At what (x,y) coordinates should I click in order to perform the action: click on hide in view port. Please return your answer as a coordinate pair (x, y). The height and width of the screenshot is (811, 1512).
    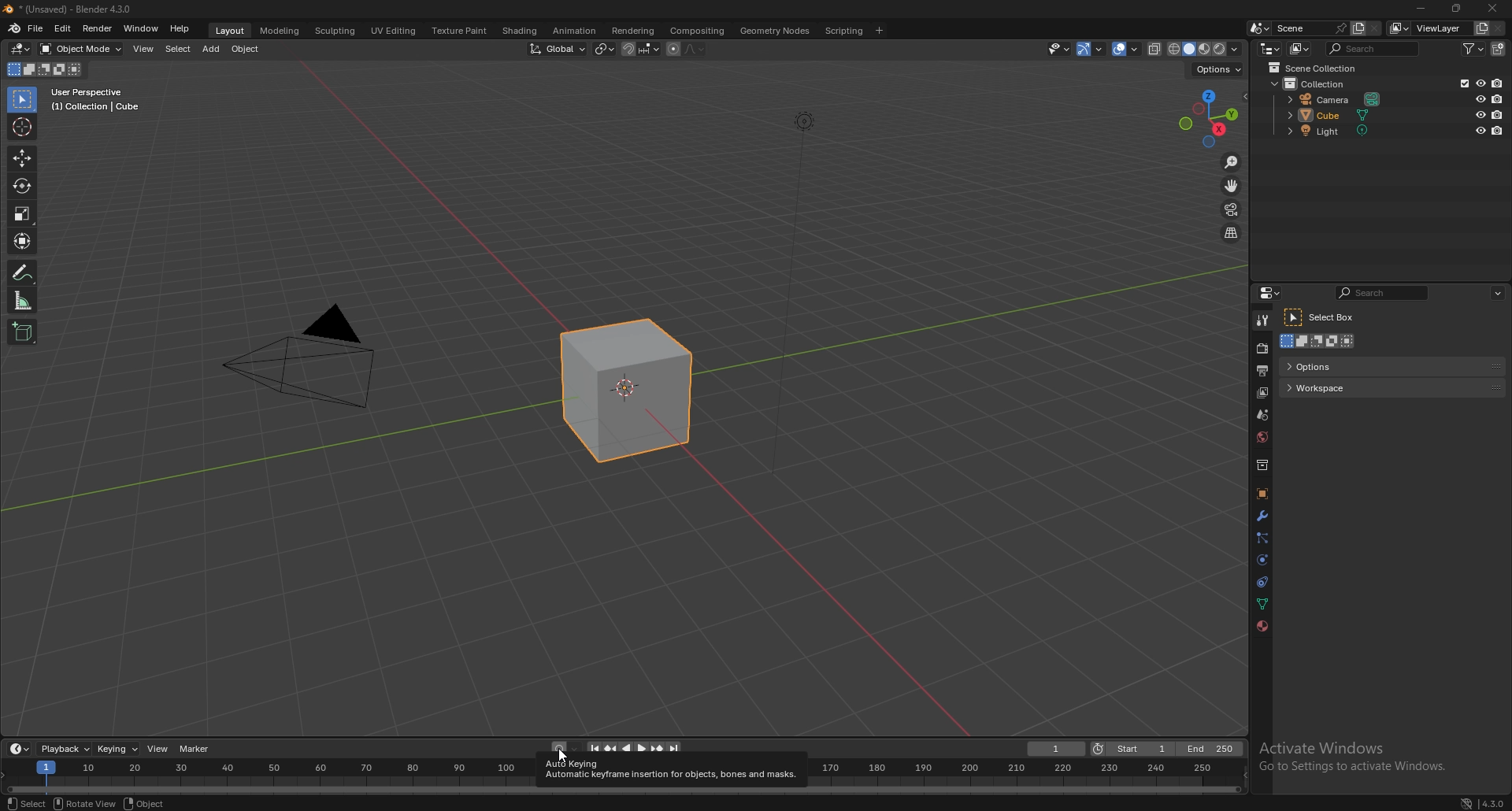
    Looking at the image, I should click on (1480, 130).